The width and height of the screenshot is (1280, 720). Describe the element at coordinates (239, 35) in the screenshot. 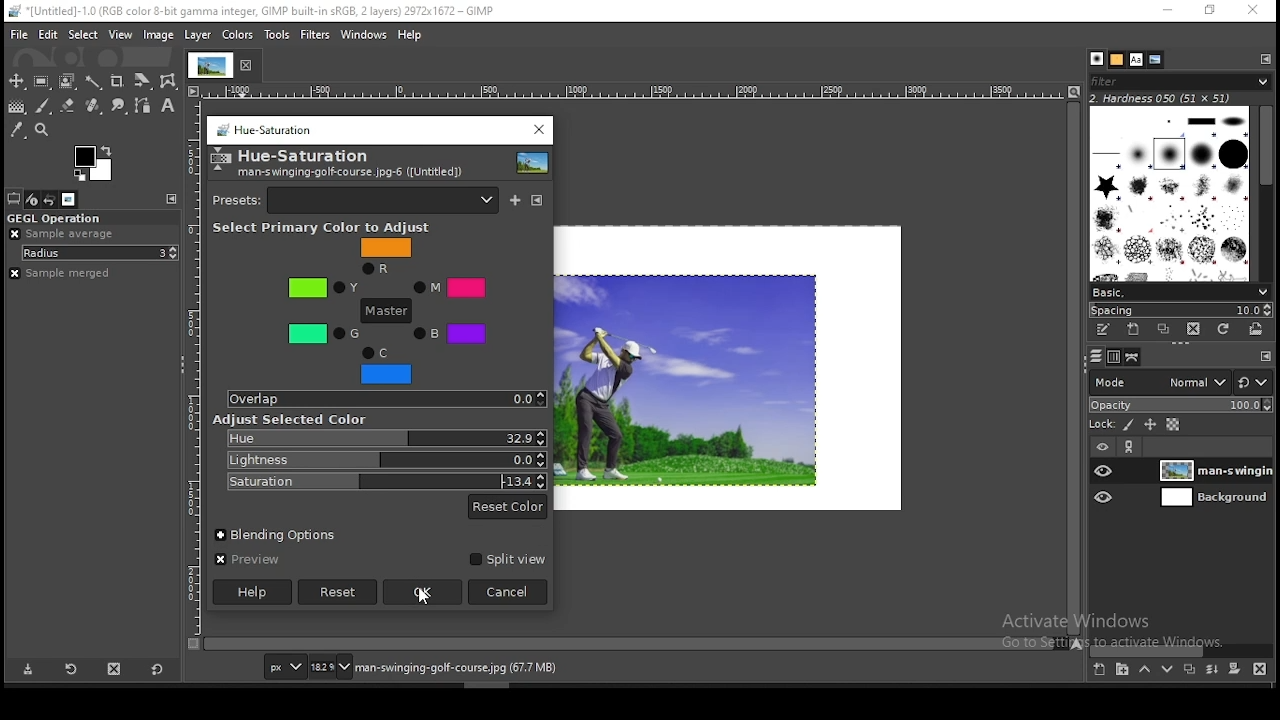

I see `colors` at that location.